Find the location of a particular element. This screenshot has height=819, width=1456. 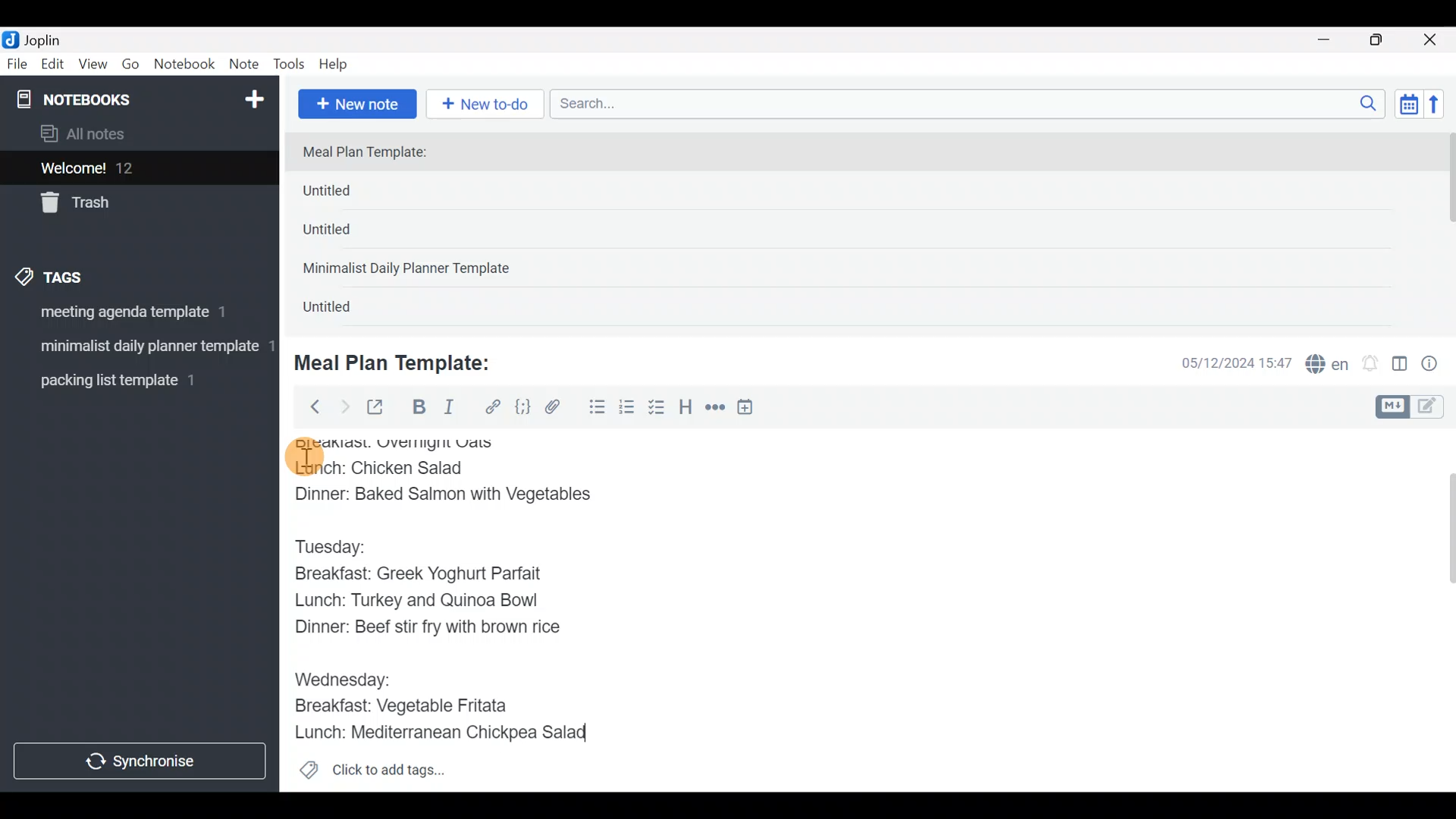

Toggle editor layout is located at coordinates (1401, 366).